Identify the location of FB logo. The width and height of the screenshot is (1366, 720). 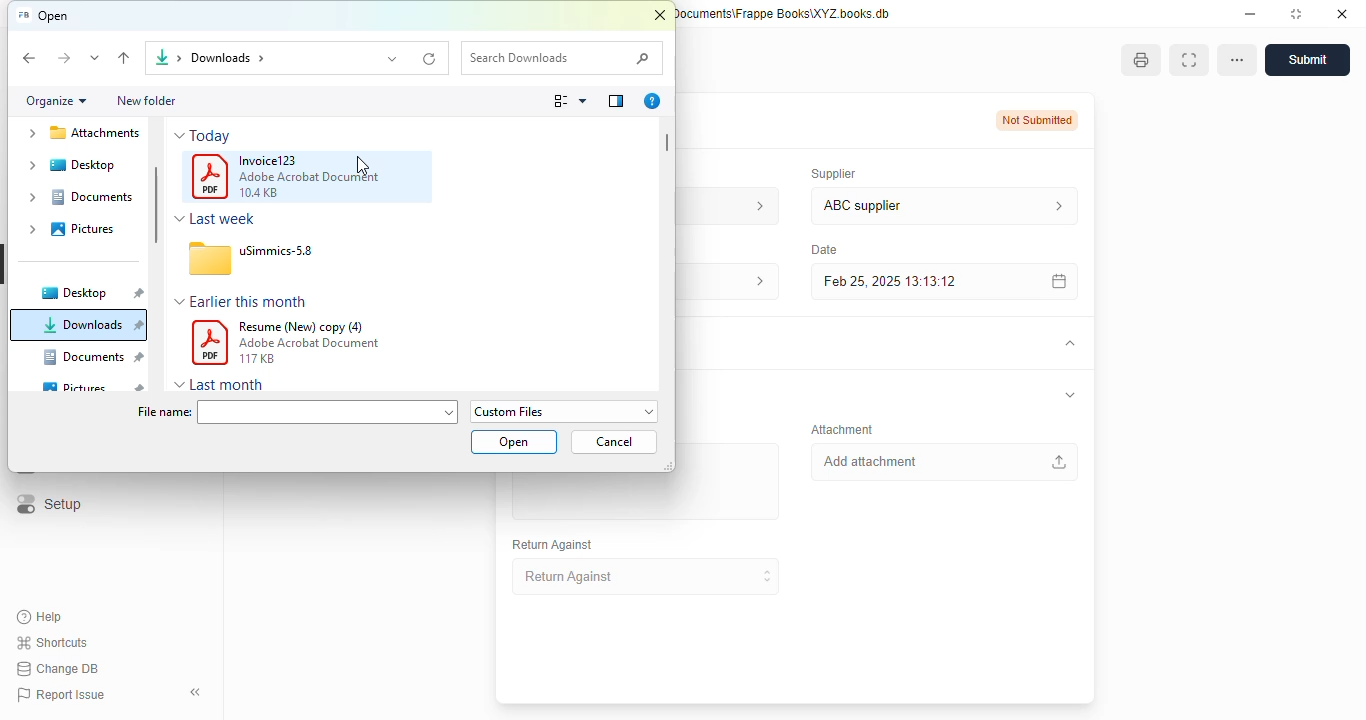
(22, 15).